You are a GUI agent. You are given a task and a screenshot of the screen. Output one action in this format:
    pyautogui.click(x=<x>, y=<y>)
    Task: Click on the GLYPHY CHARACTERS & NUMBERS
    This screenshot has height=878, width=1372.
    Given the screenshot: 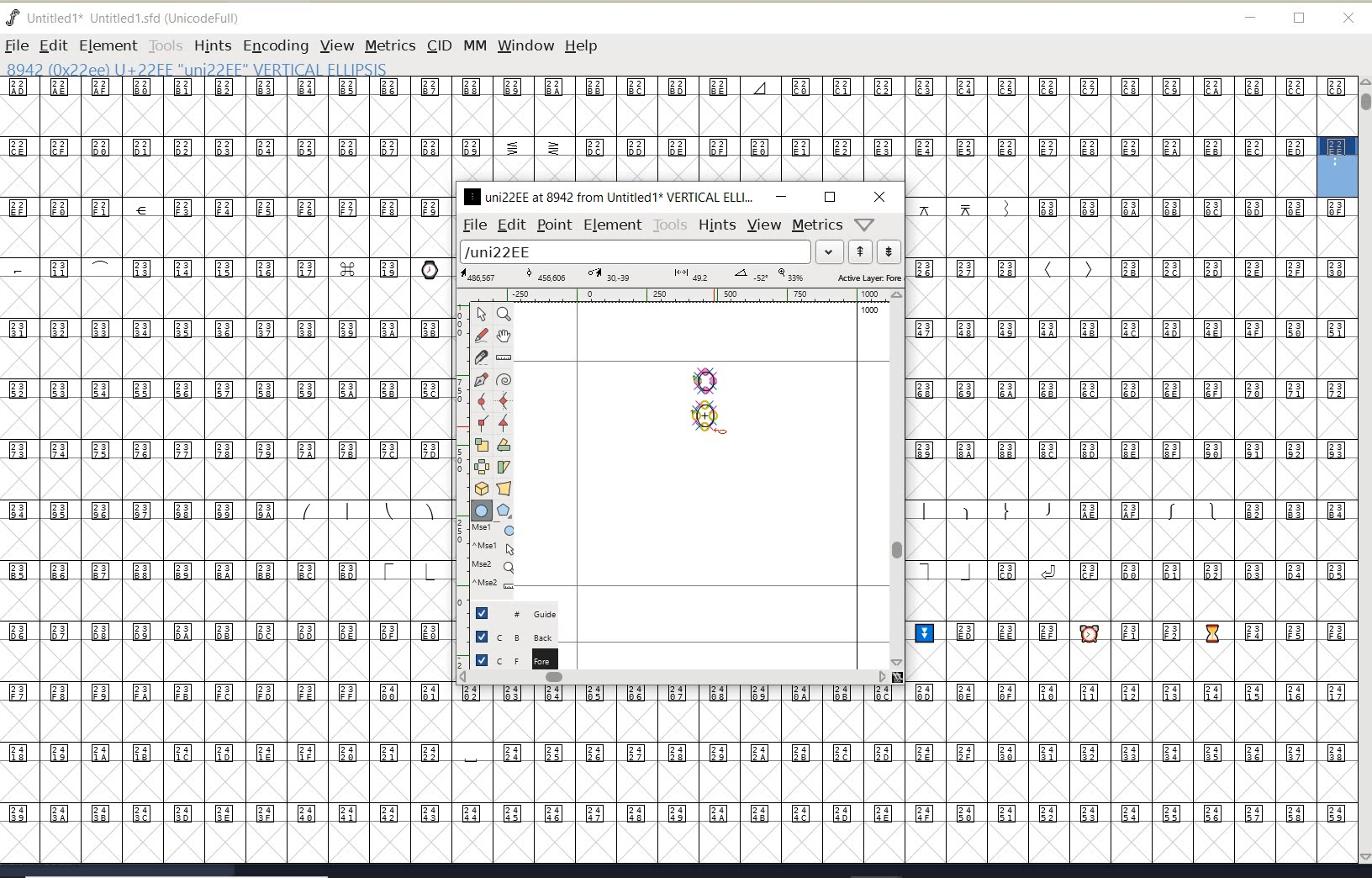 What is the action you would take?
    pyautogui.click(x=657, y=130)
    